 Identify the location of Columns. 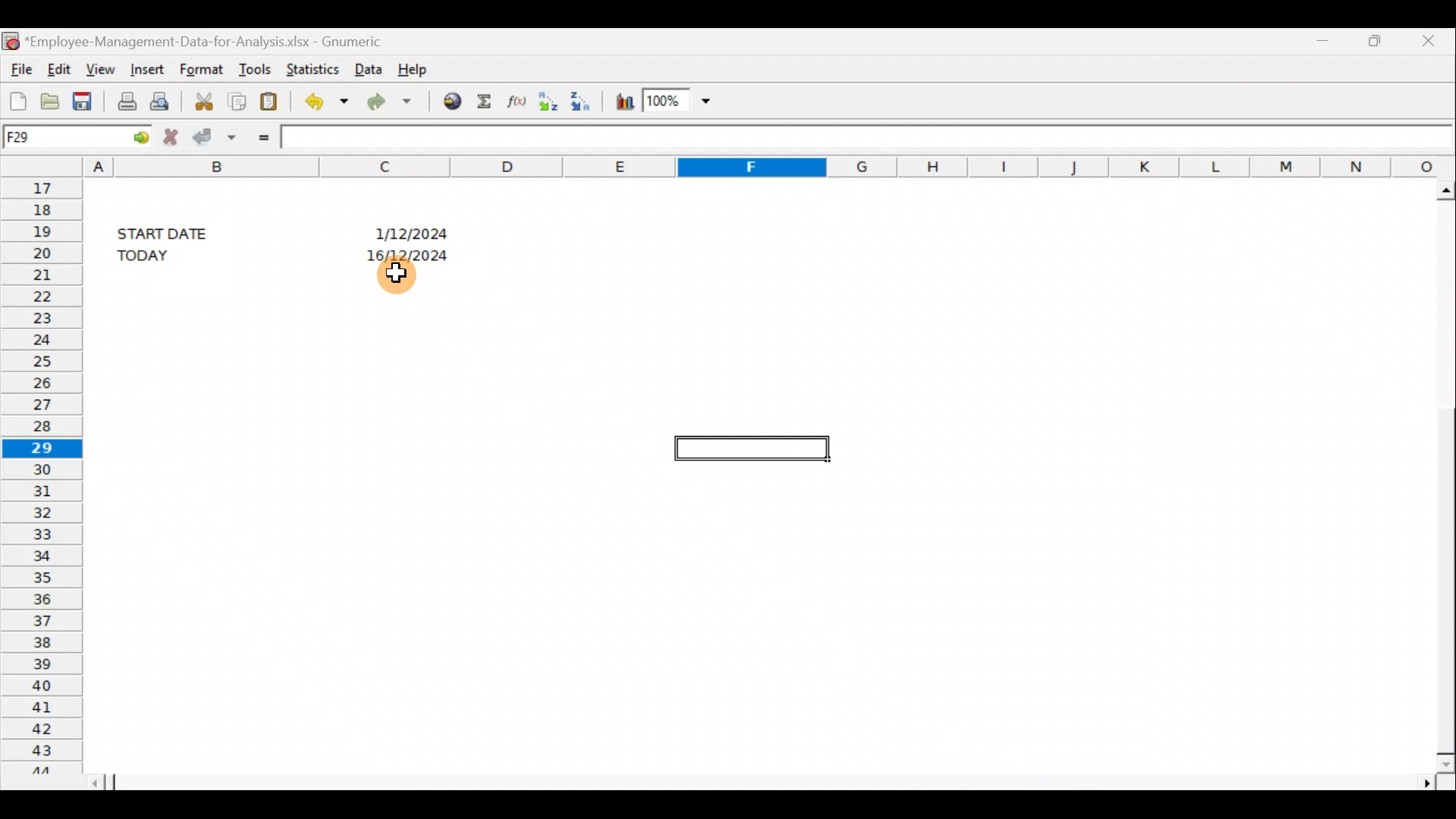
(769, 165).